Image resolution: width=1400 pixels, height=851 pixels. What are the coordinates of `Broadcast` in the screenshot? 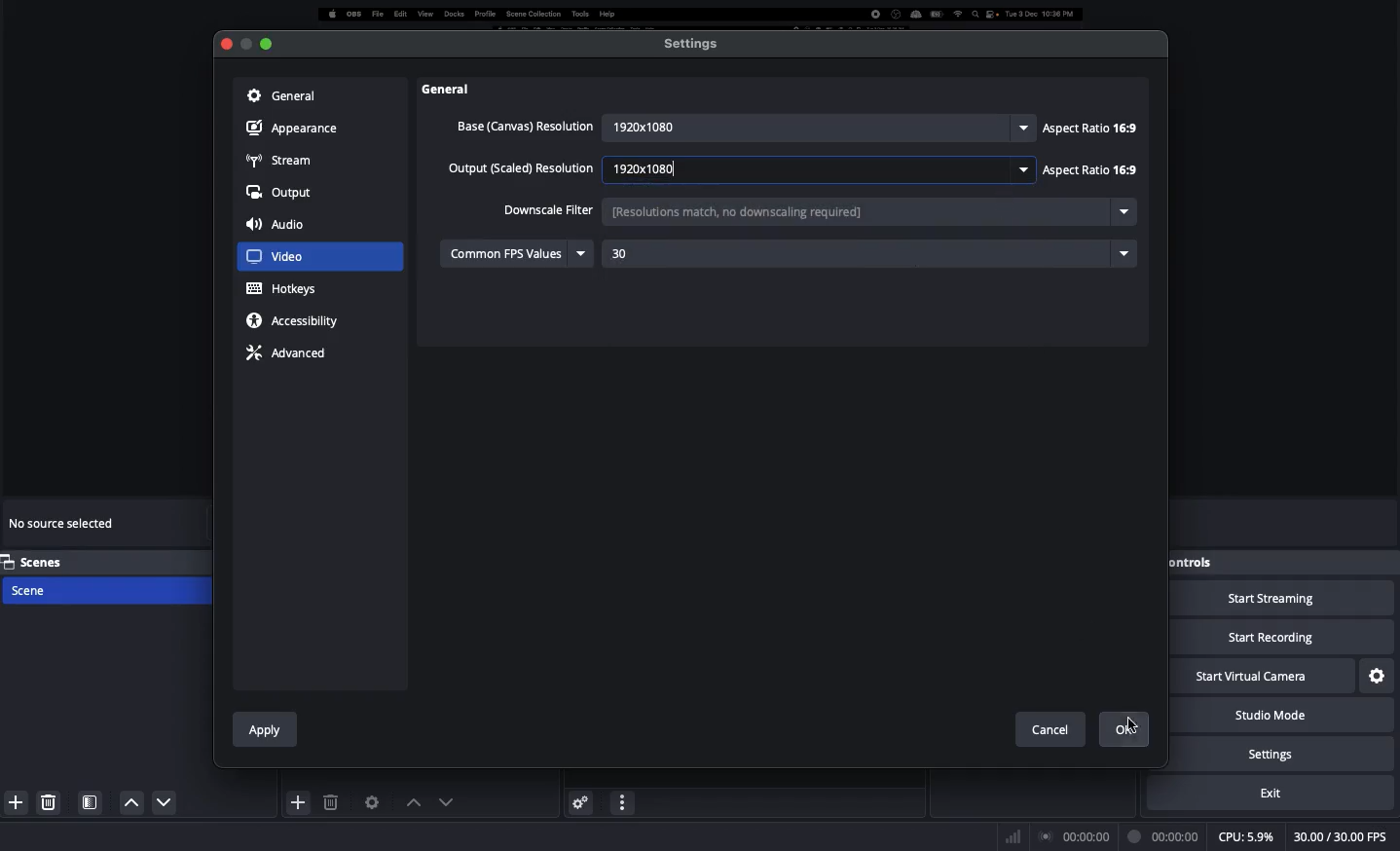 It's located at (1076, 836).